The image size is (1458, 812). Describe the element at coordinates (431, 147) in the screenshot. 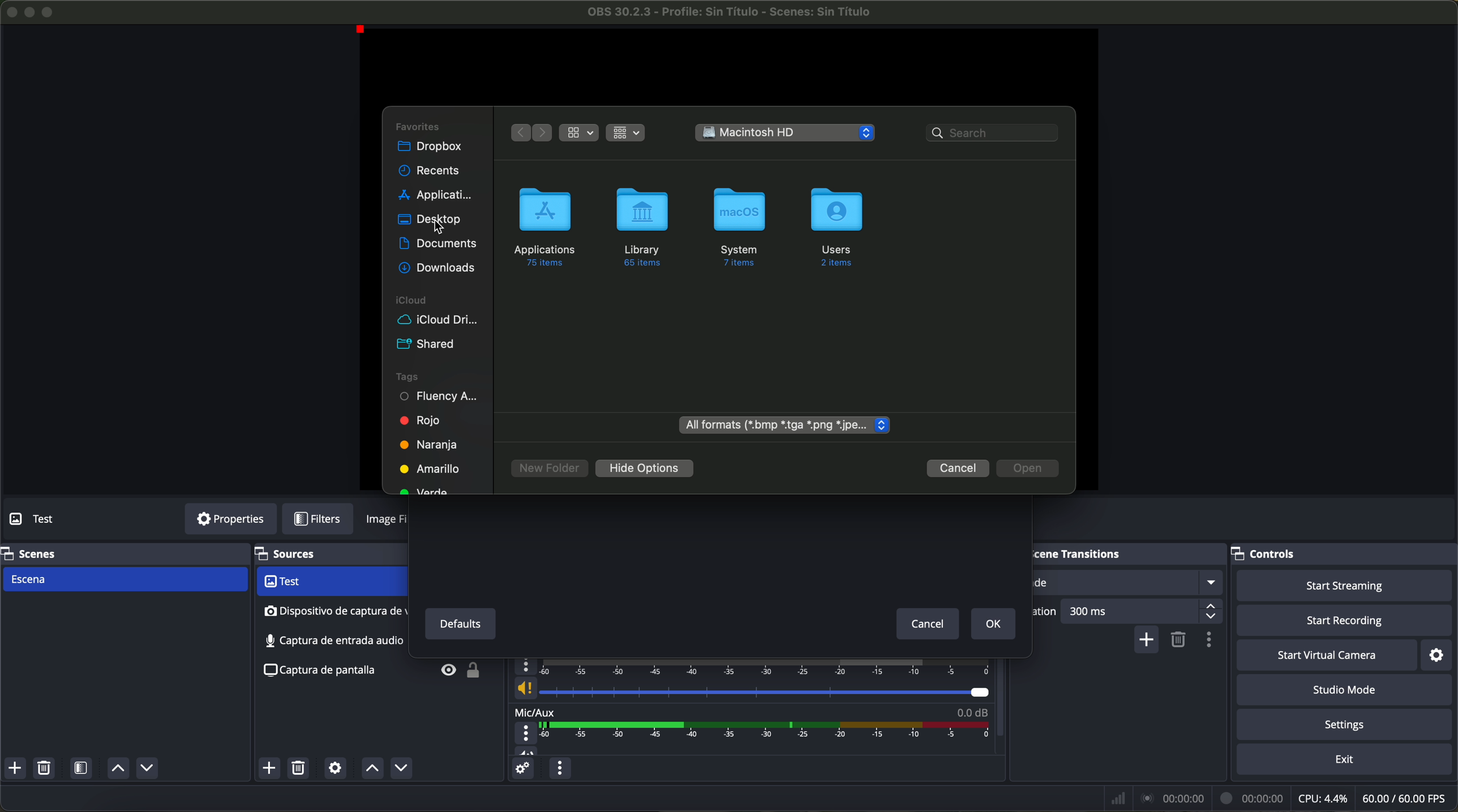

I see `dropbox` at that location.